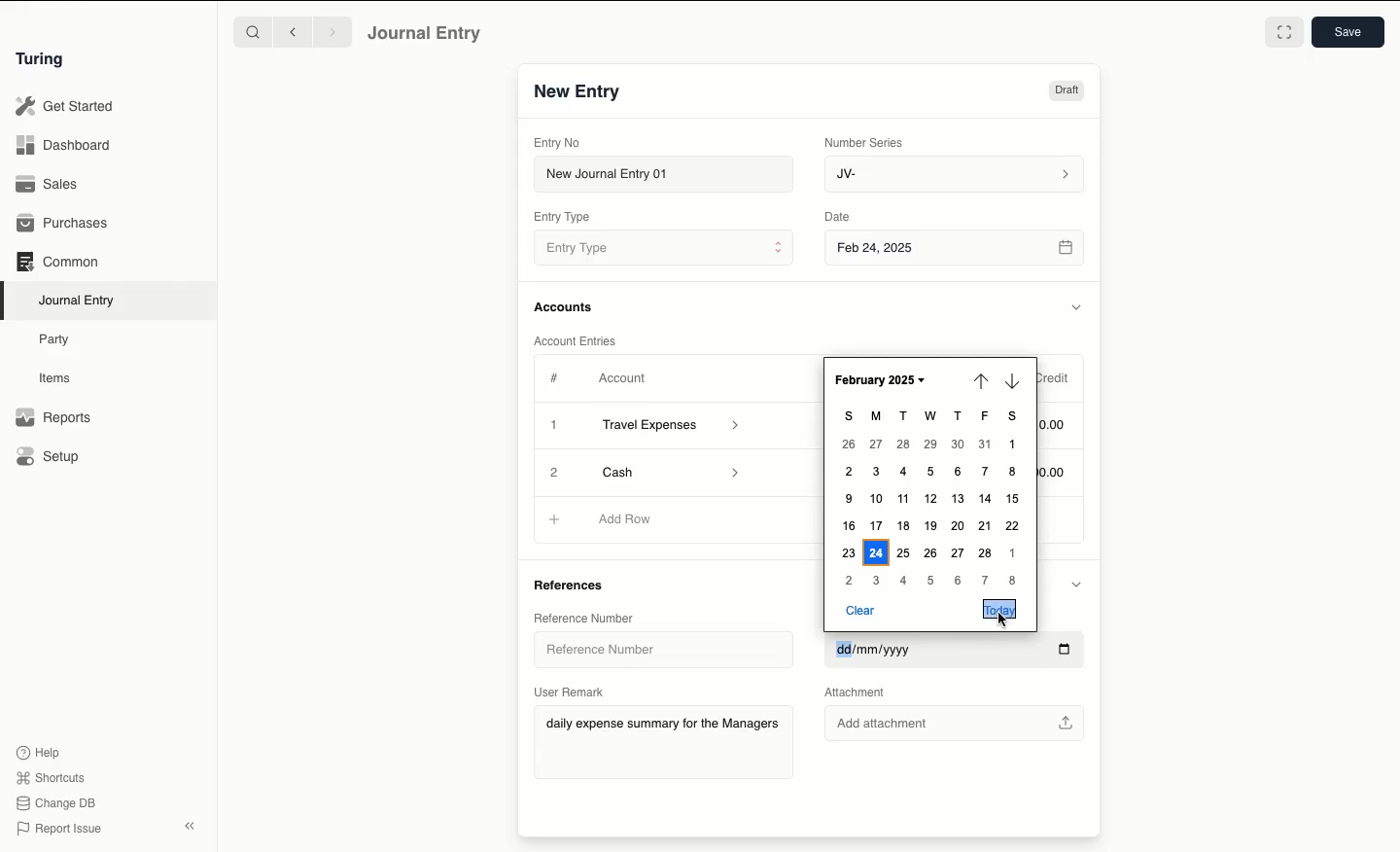 The height and width of the screenshot is (852, 1400). What do you see at coordinates (663, 727) in the screenshot?
I see `daily expense summary for the Managers` at bounding box center [663, 727].